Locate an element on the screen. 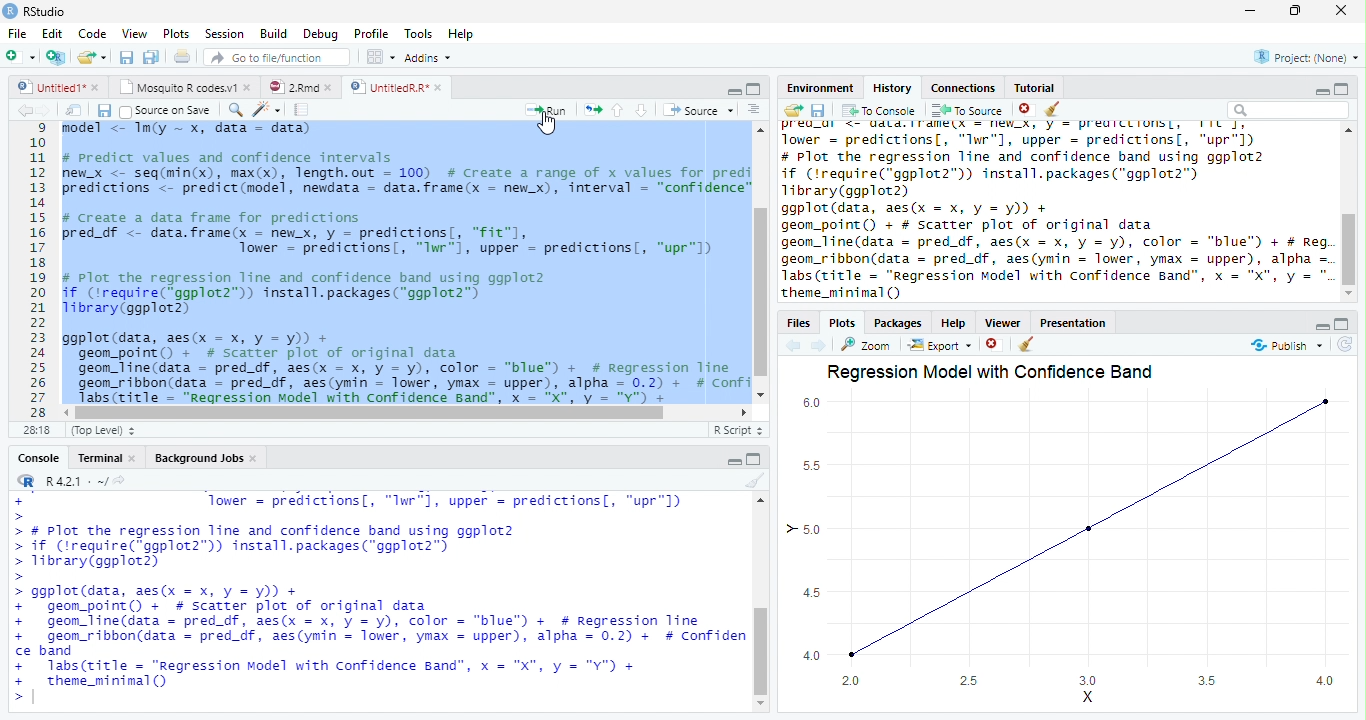  60
55
-50
45
40 is located at coordinates (812, 528).